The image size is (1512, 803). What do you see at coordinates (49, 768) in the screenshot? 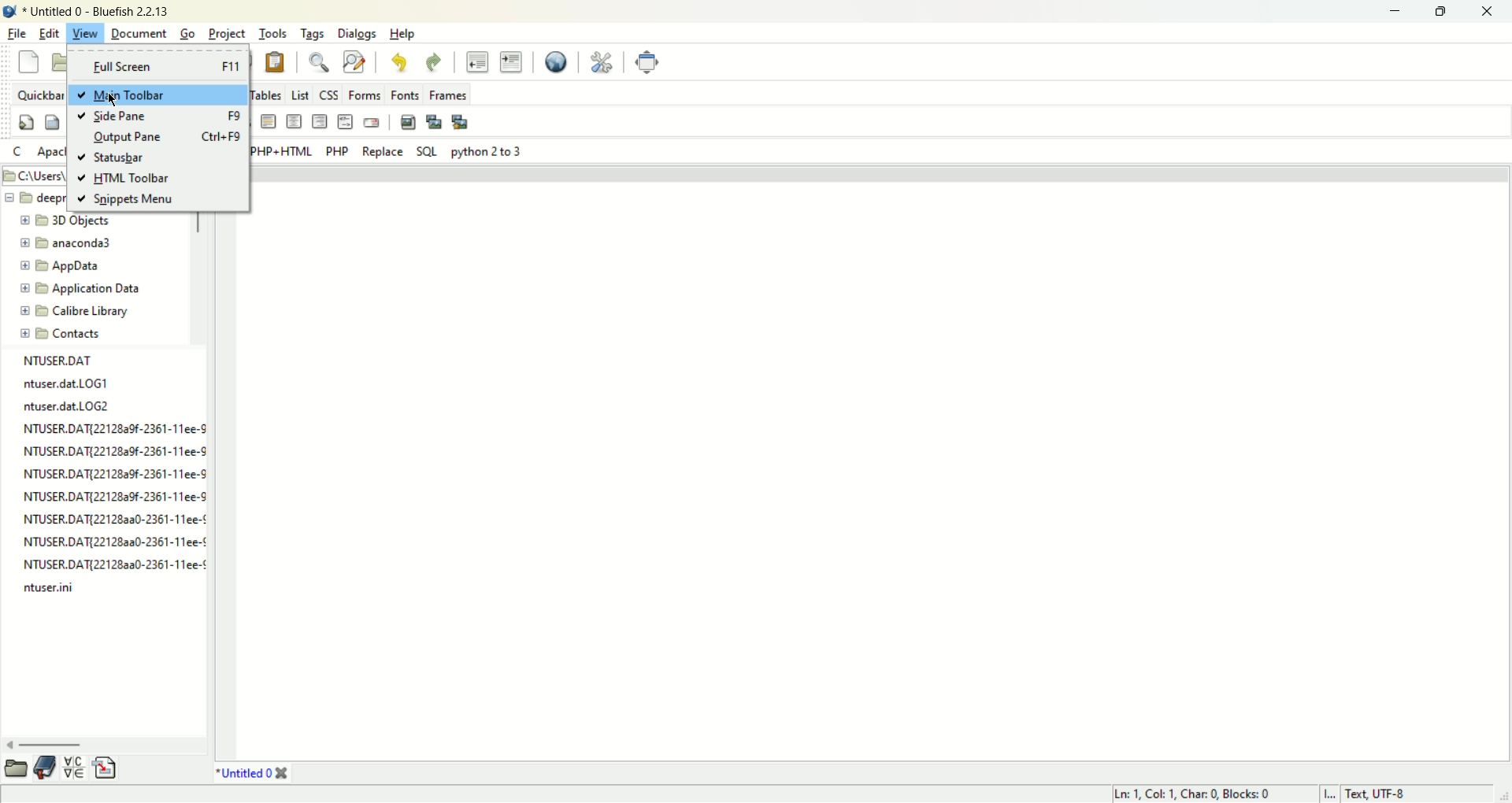
I see `bookmark` at bounding box center [49, 768].